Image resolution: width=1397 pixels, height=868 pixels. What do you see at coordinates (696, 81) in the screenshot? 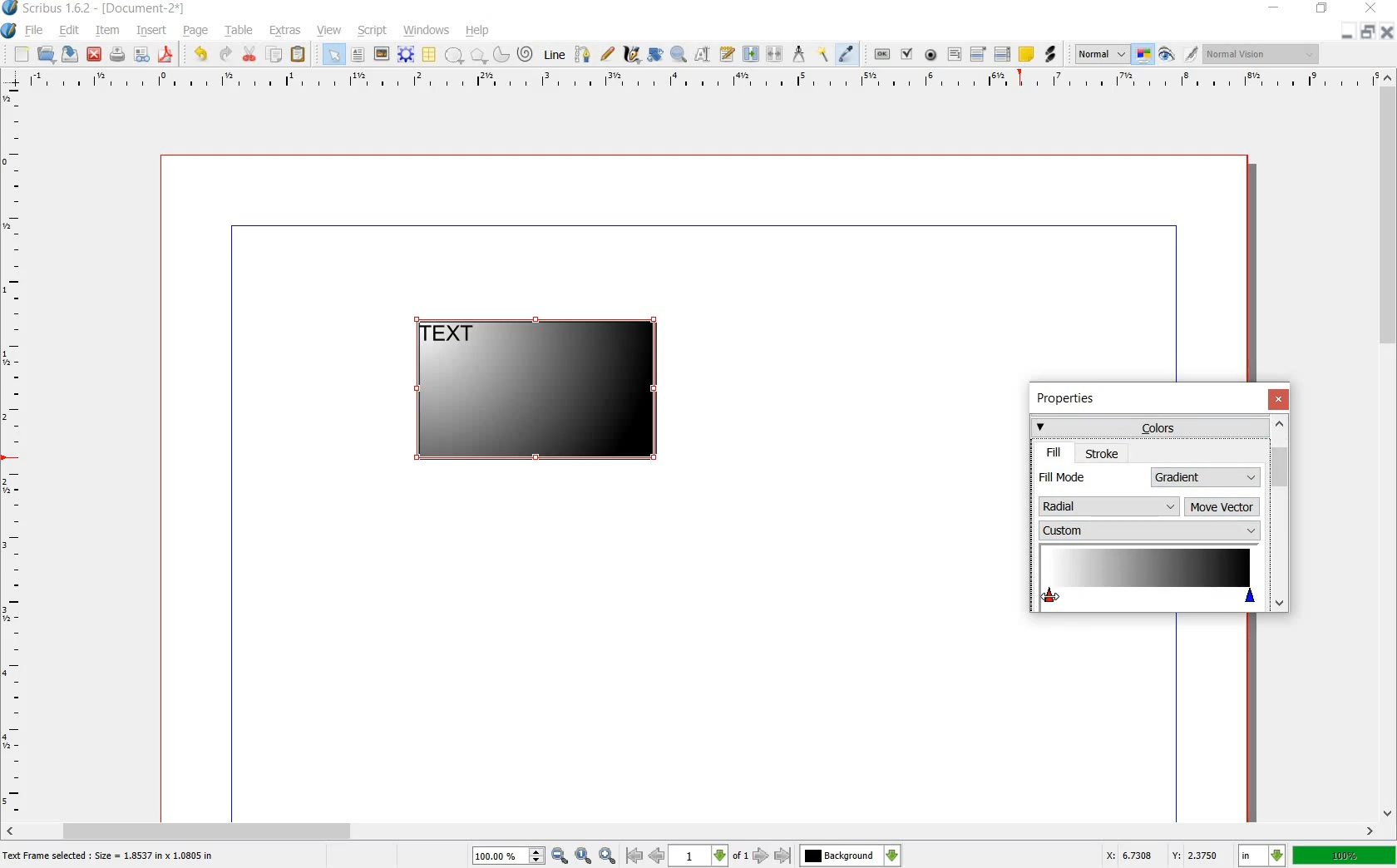
I see `ruler` at bounding box center [696, 81].